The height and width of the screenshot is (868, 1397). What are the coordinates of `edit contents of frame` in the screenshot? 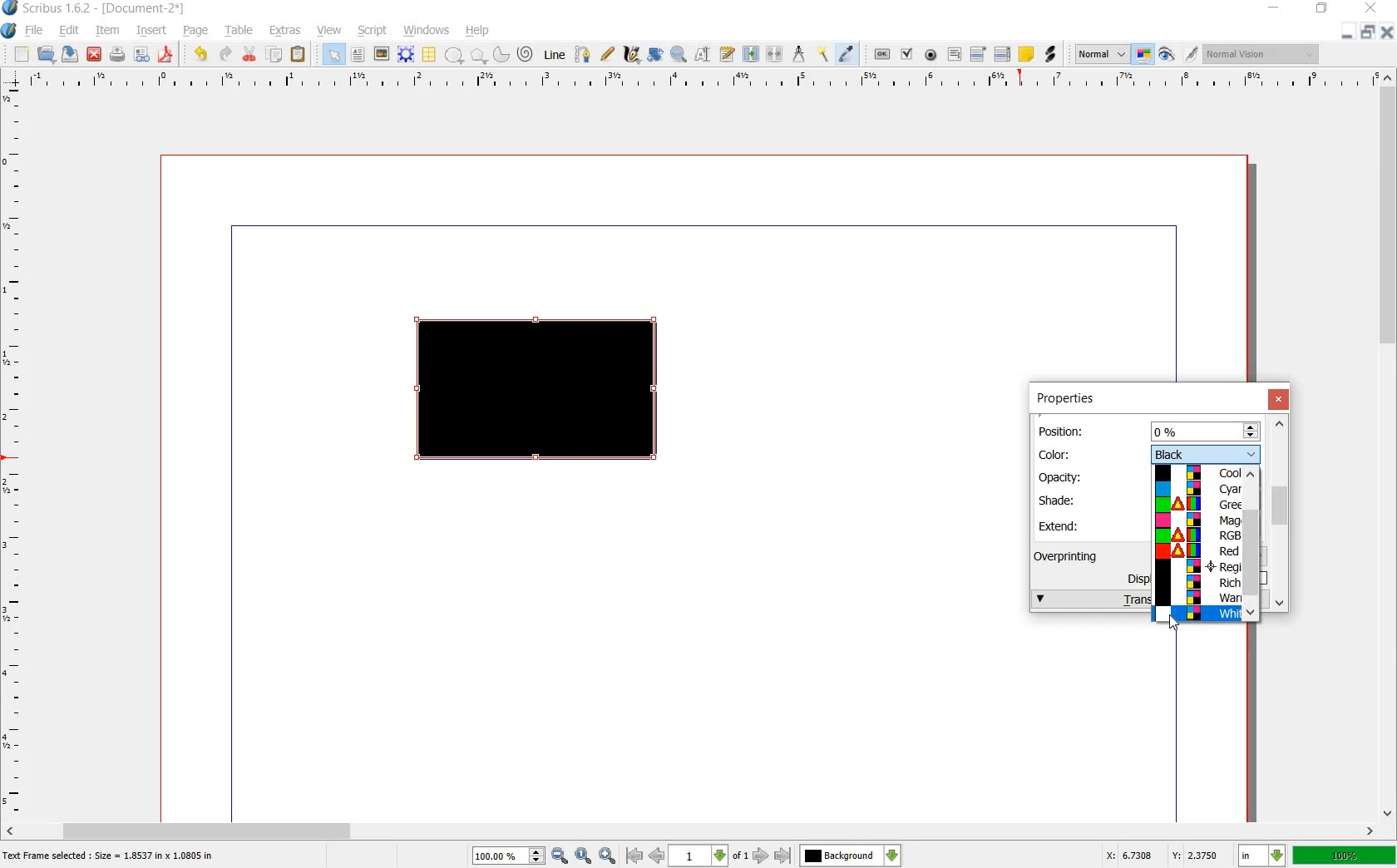 It's located at (703, 55).